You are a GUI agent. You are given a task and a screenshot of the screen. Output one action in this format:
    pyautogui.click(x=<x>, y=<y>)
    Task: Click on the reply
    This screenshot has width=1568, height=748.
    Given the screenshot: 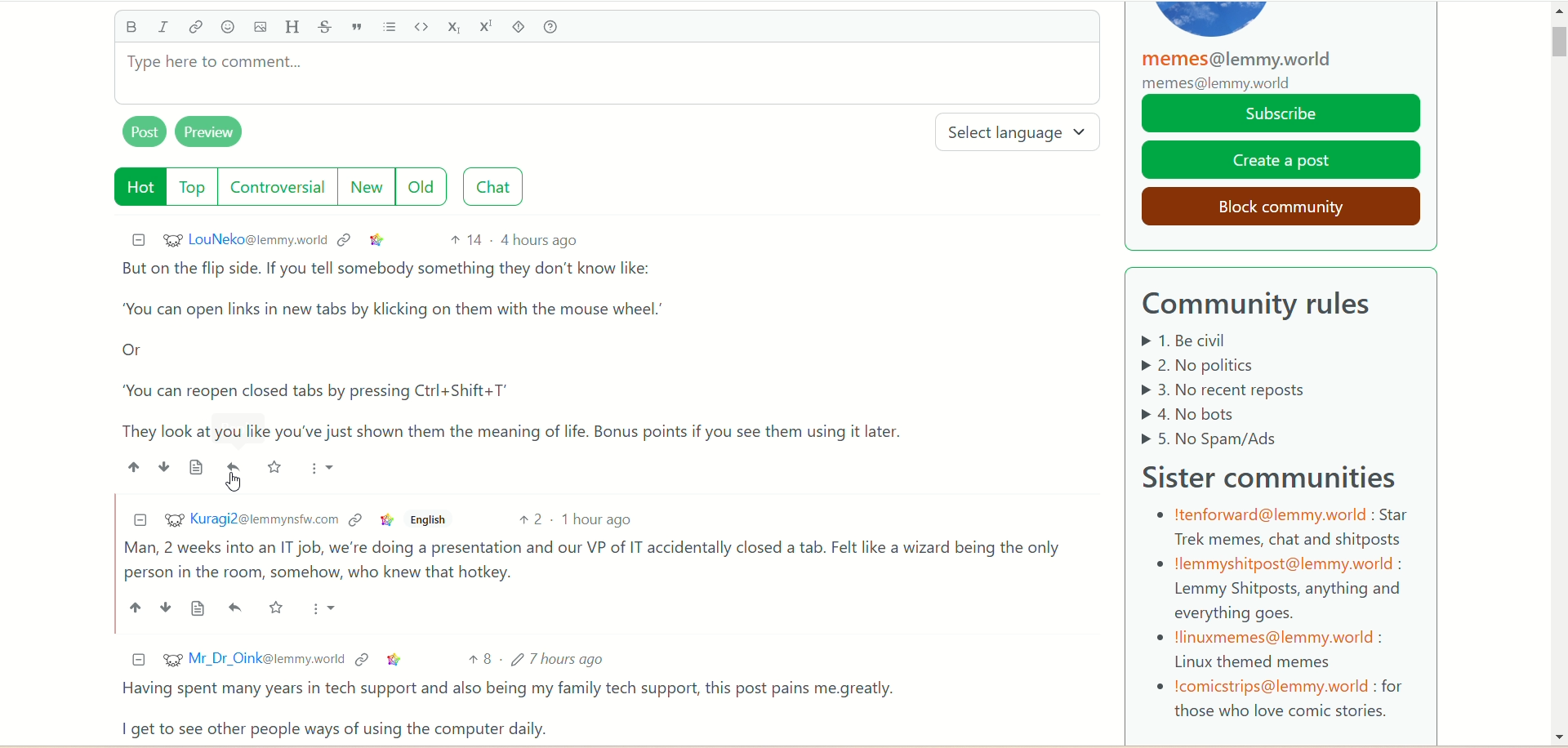 What is the action you would take?
    pyautogui.click(x=233, y=610)
    